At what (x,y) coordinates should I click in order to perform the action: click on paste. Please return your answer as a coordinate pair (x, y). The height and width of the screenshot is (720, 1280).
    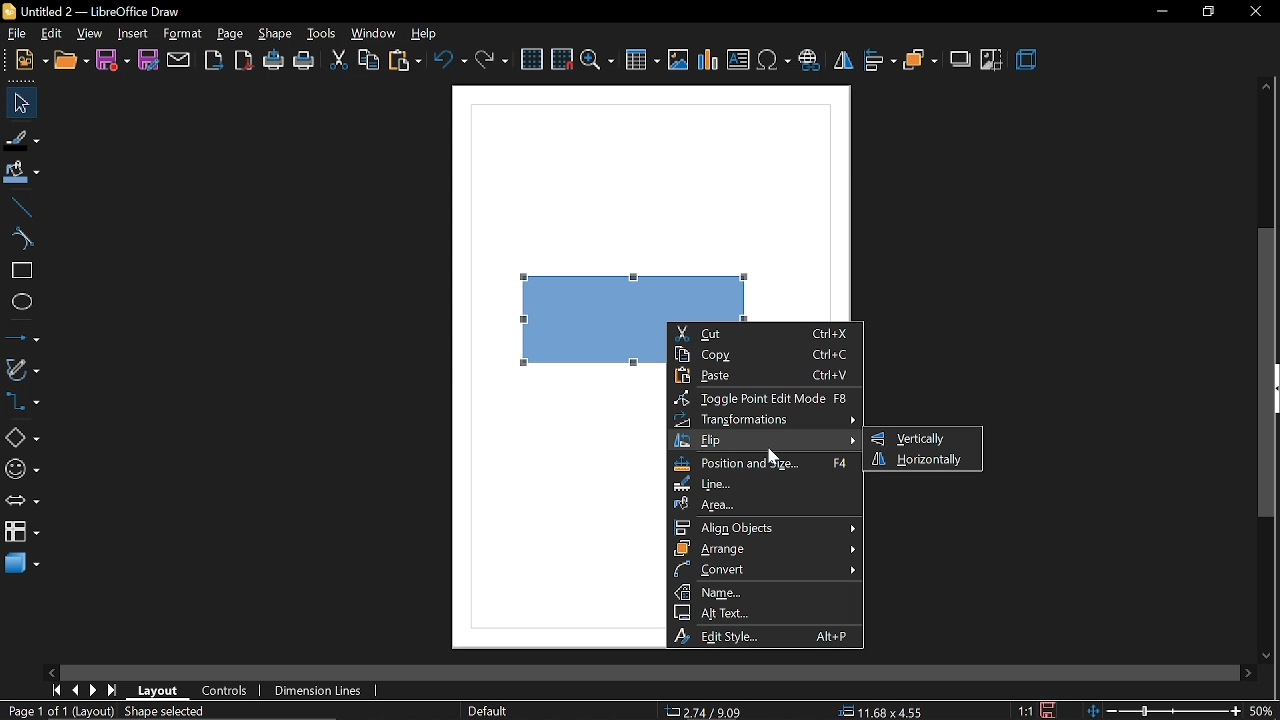
    Looking at the image, I should click on (403, 61).